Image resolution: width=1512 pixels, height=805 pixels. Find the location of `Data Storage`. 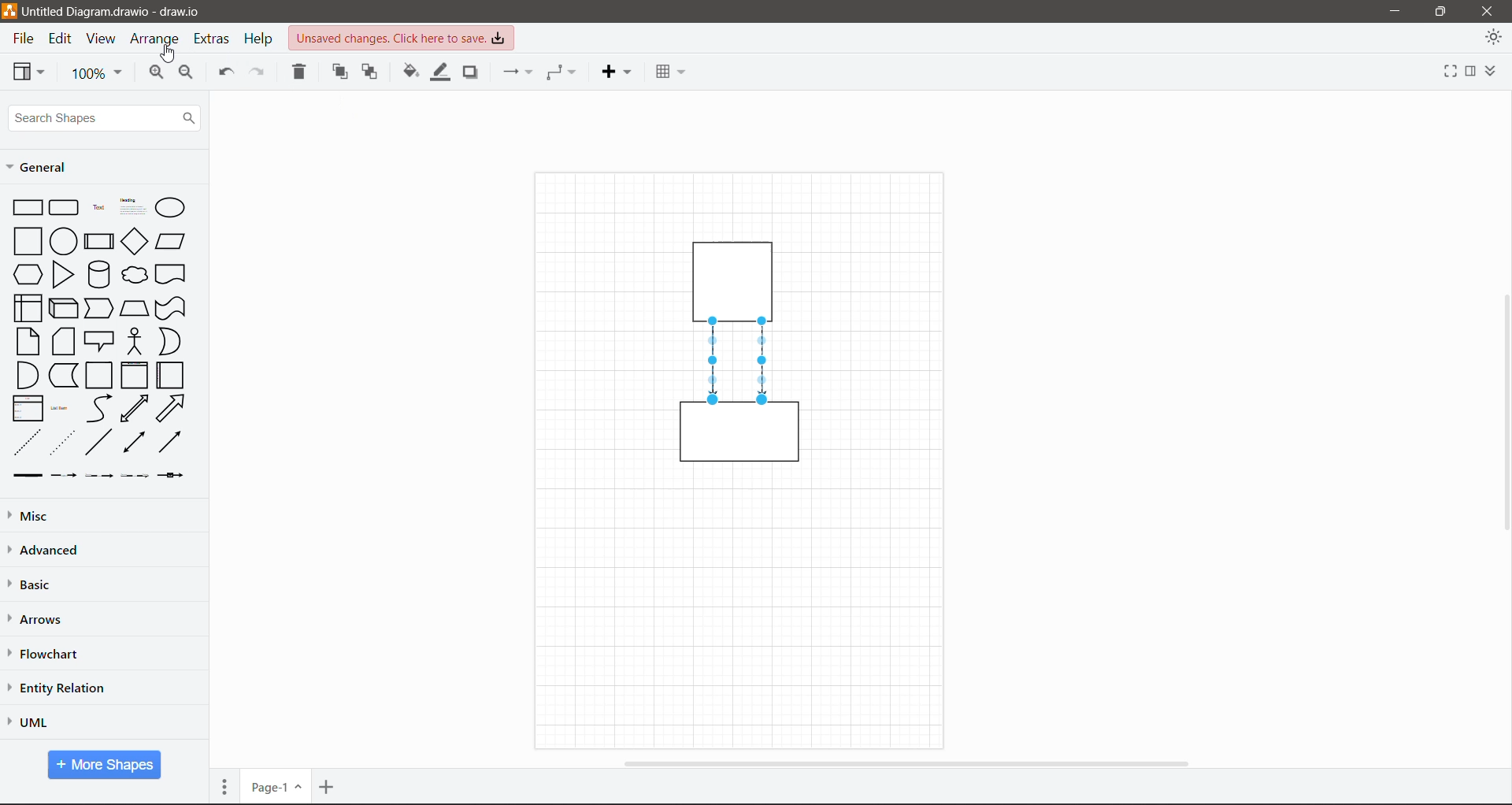

Data Storage is located at coordinates (62, 375).